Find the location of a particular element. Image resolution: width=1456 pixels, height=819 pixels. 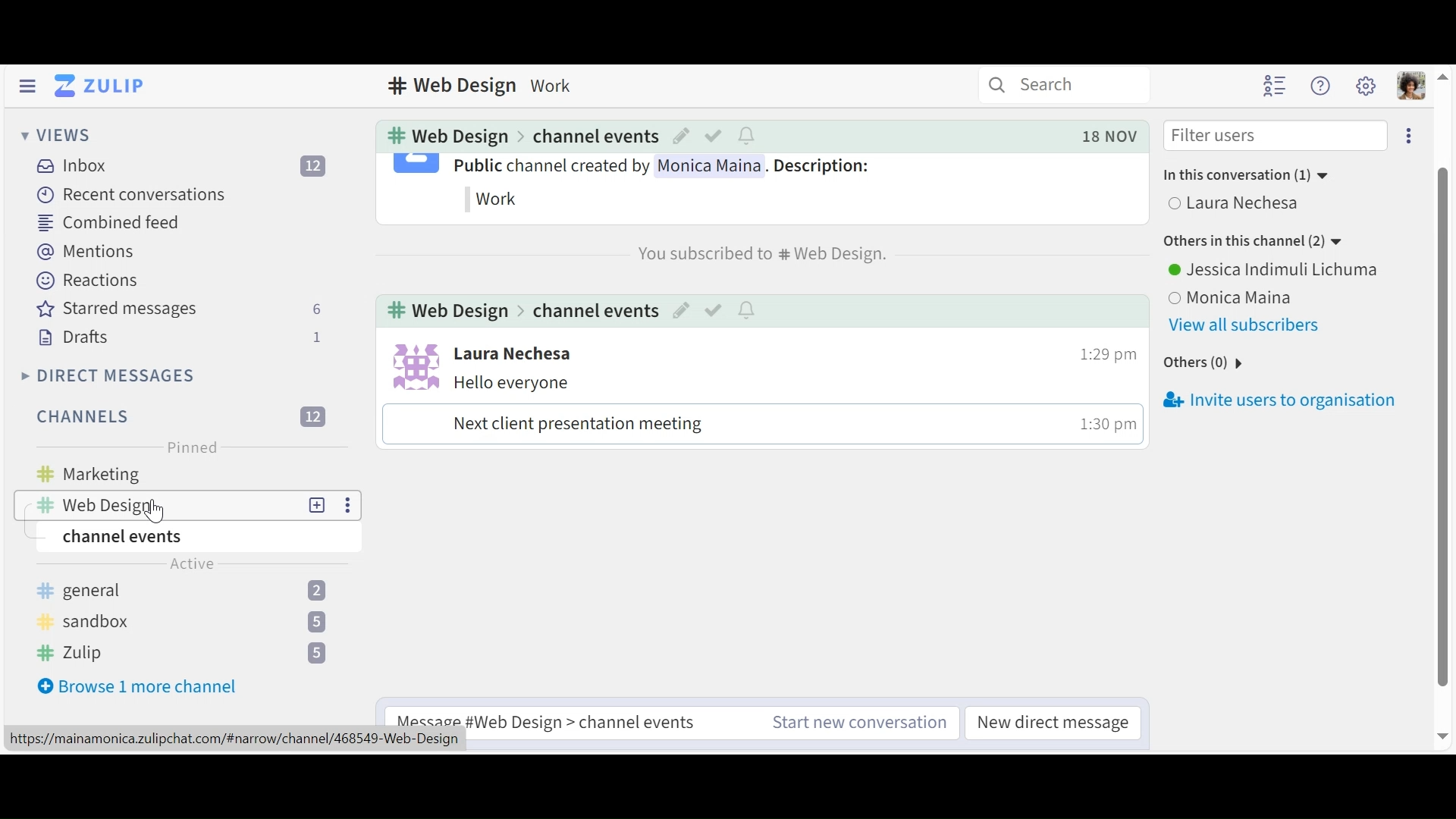

Search is located at coordinates (1040, 86).